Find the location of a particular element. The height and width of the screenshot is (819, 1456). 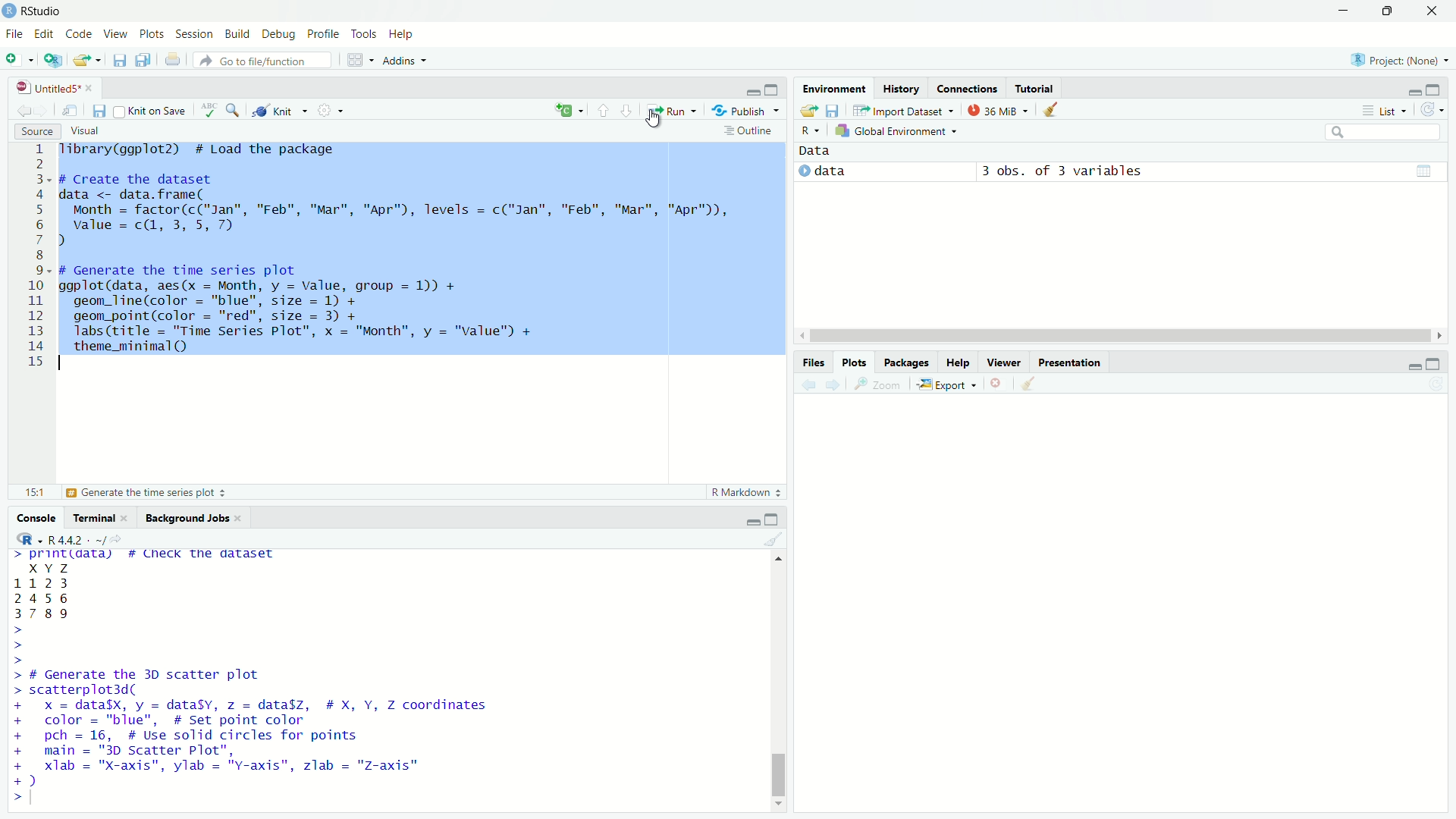

table is located at coordinates (1423, 170).